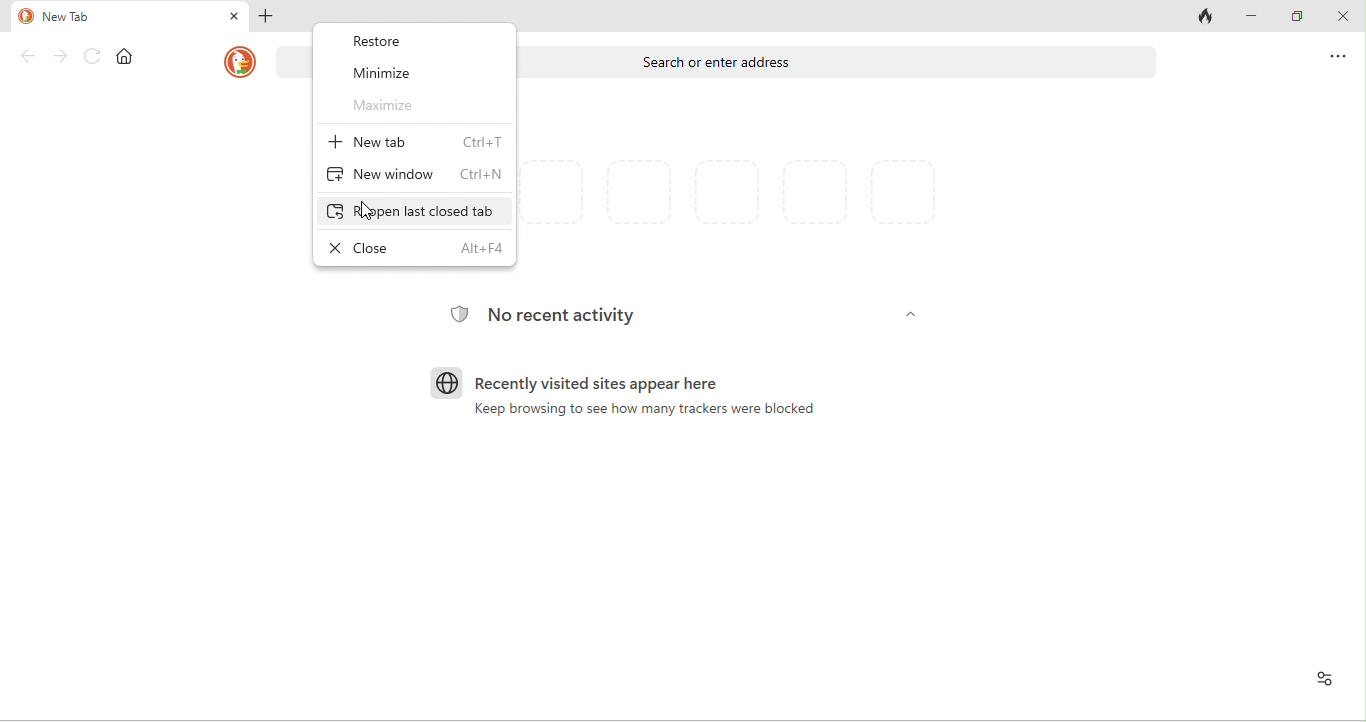  Describe the element at coordinates (840, 60) in the screenshot. I see `search or enter address` at that location.